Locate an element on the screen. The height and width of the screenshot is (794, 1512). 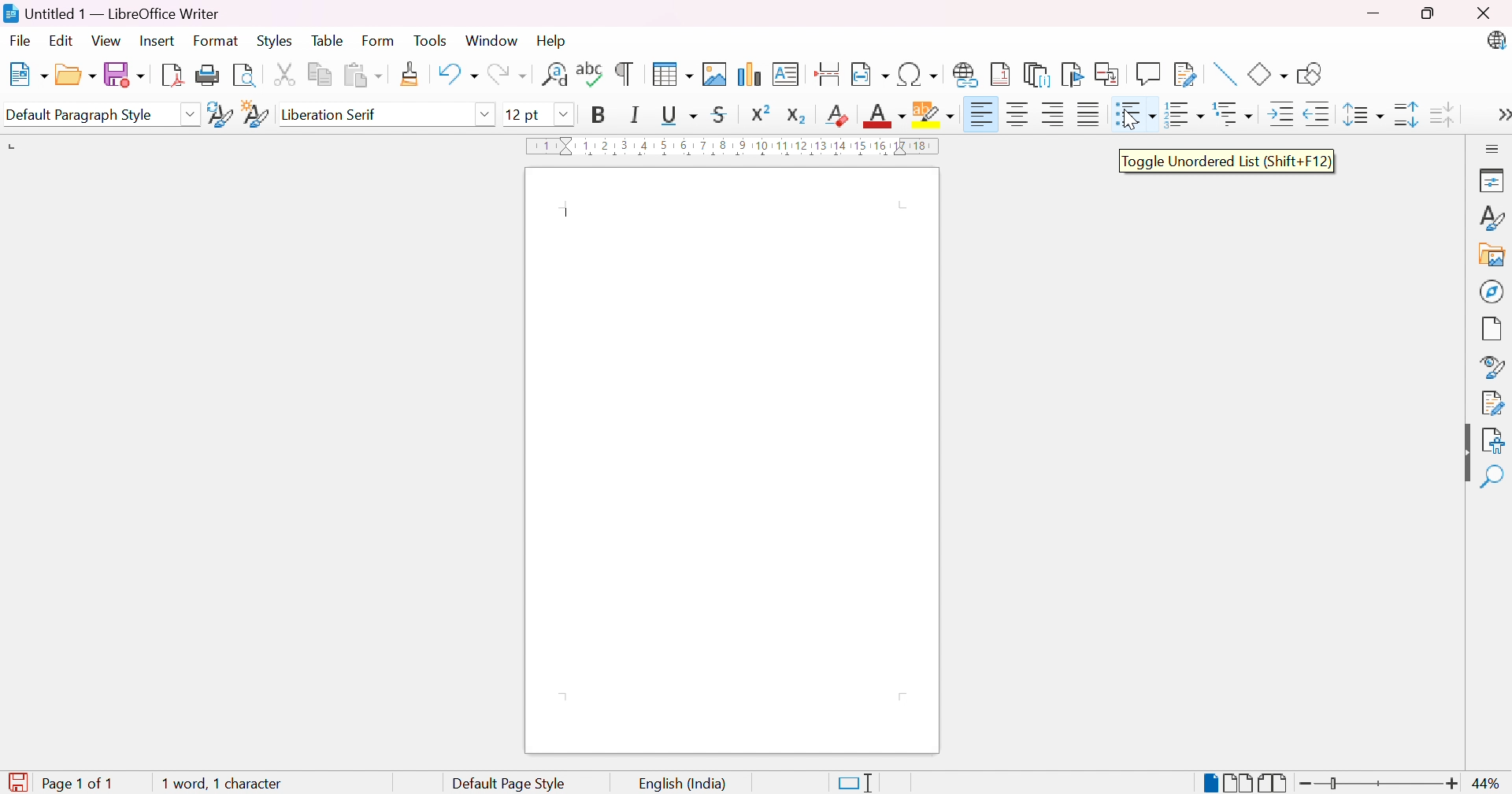
Redo is located at coordinates (506, 76).